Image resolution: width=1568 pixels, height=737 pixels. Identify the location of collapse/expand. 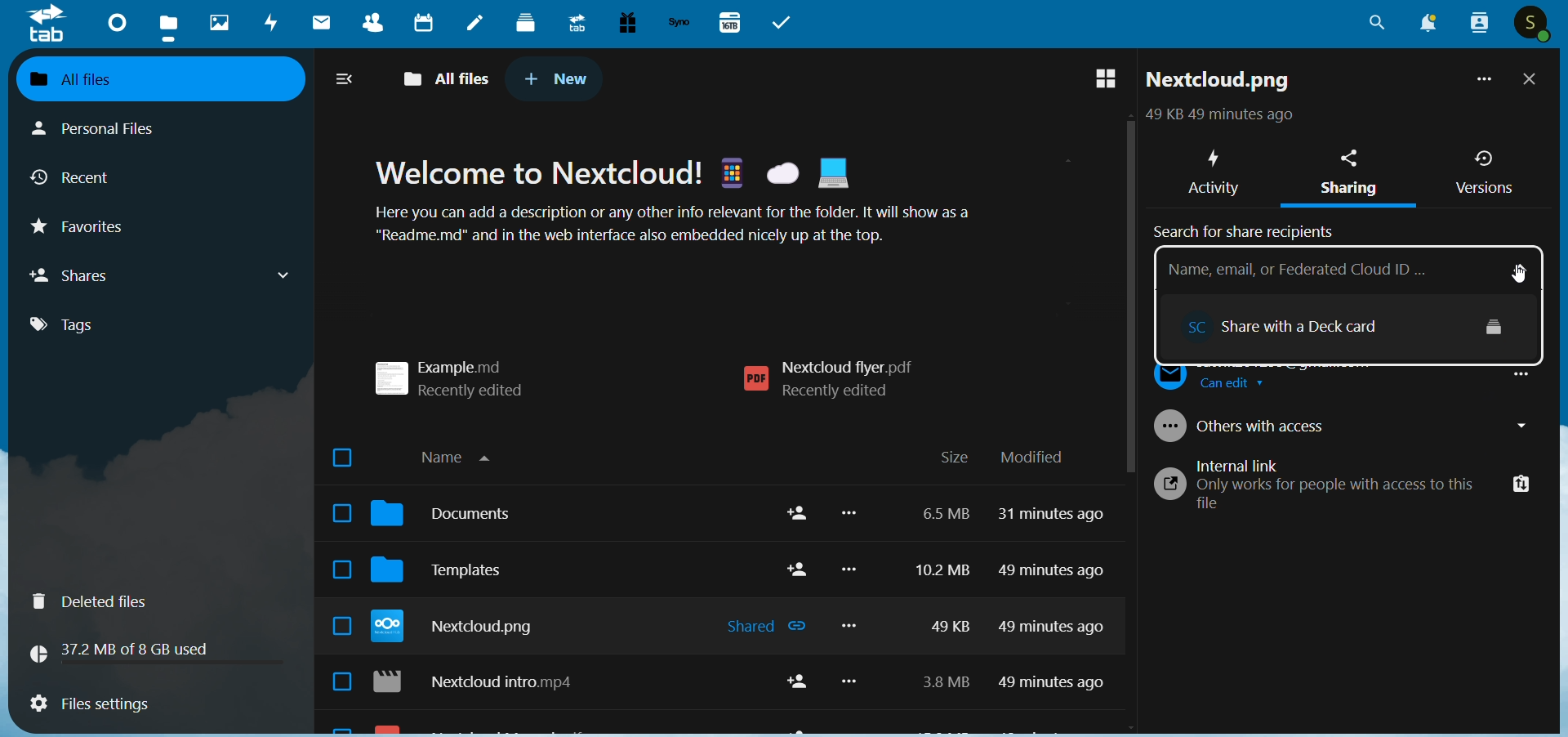
(346, 81).